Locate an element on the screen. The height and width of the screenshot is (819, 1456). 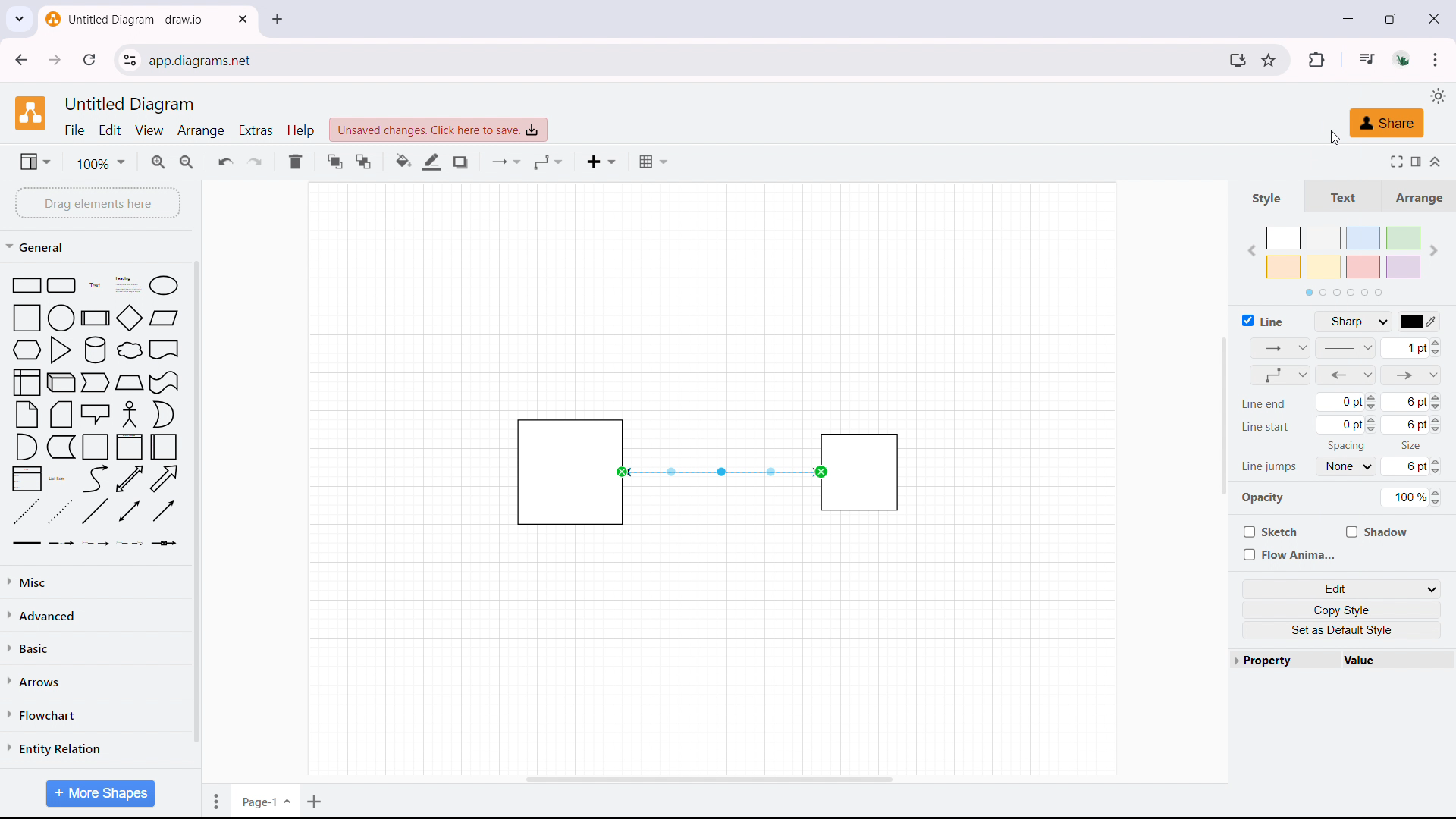
extras is located at coordinates (256, 130).